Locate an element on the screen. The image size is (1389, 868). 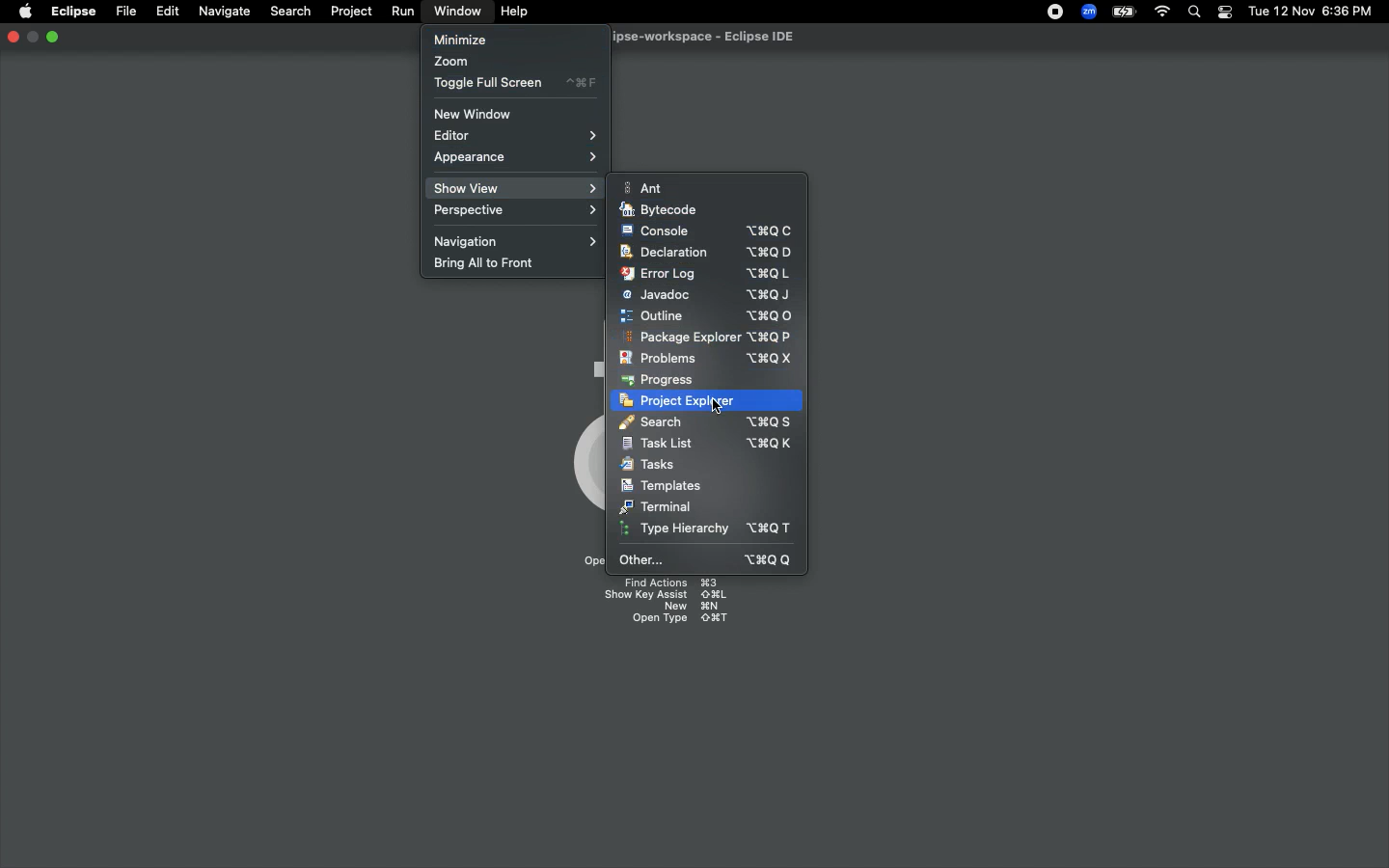
Other is located at coordinates (708, 559).